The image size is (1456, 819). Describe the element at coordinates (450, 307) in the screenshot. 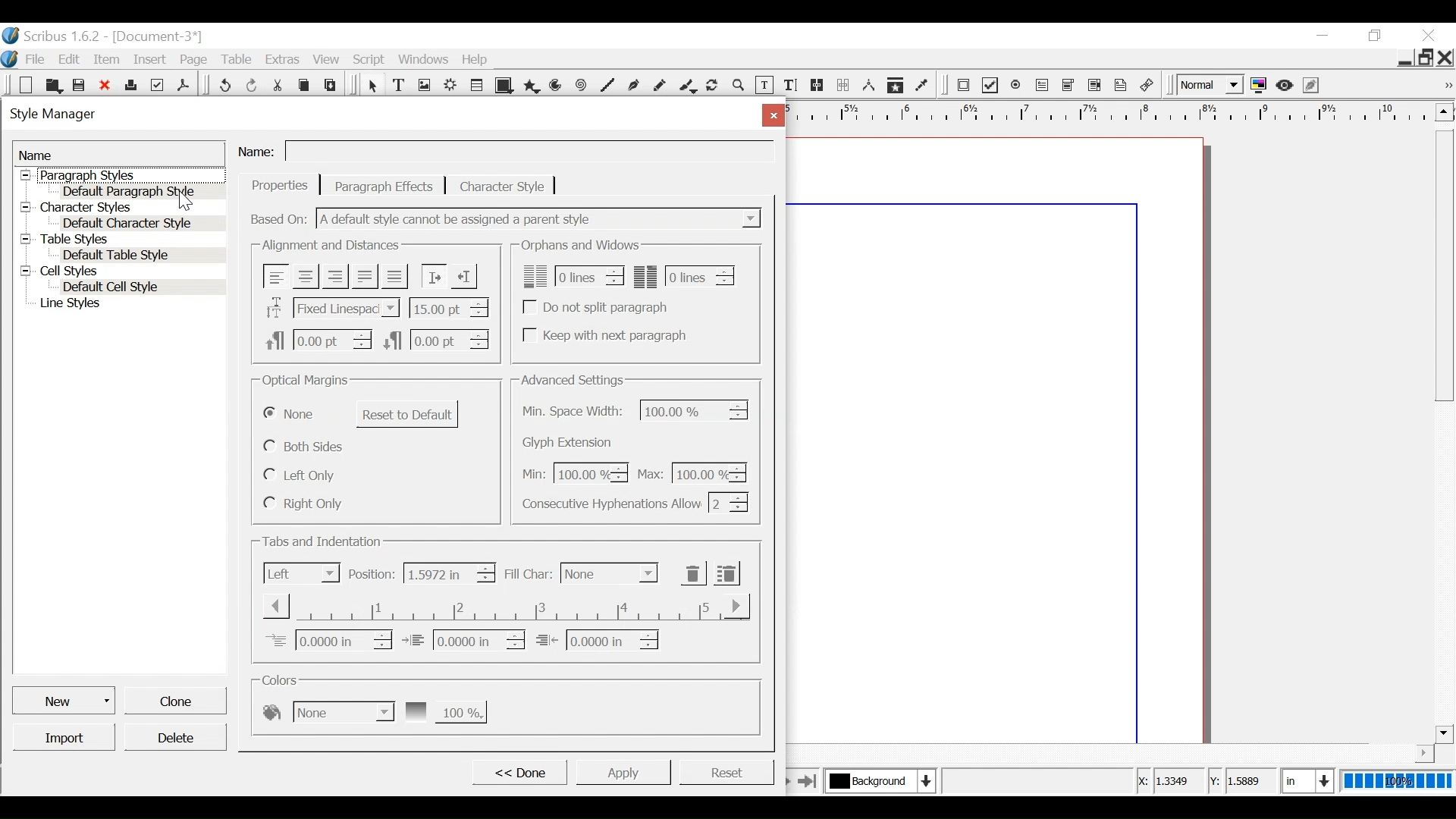

I see `line spacing` at that location.